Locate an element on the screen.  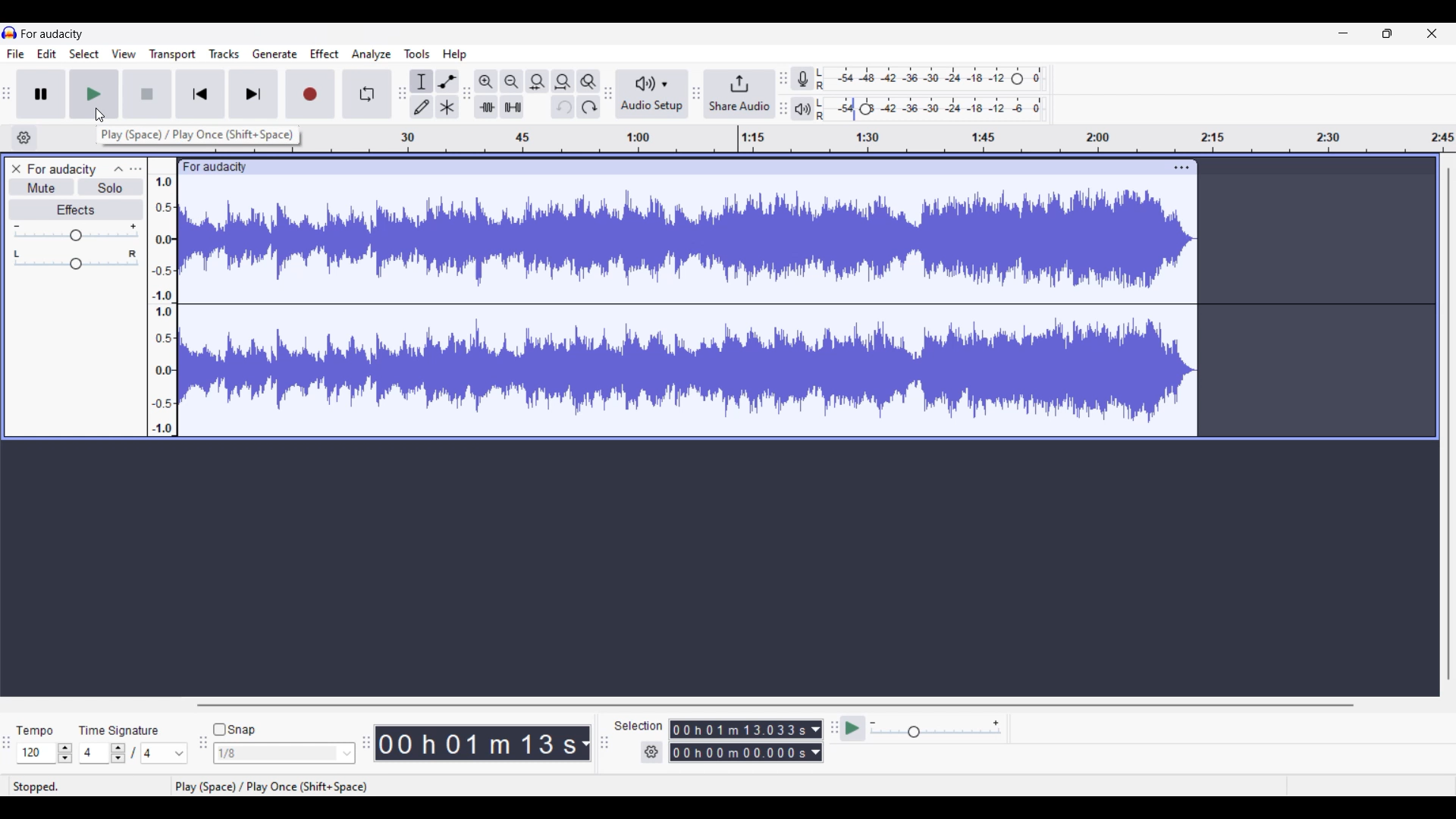
Redo is located at coordinates (588, 107).